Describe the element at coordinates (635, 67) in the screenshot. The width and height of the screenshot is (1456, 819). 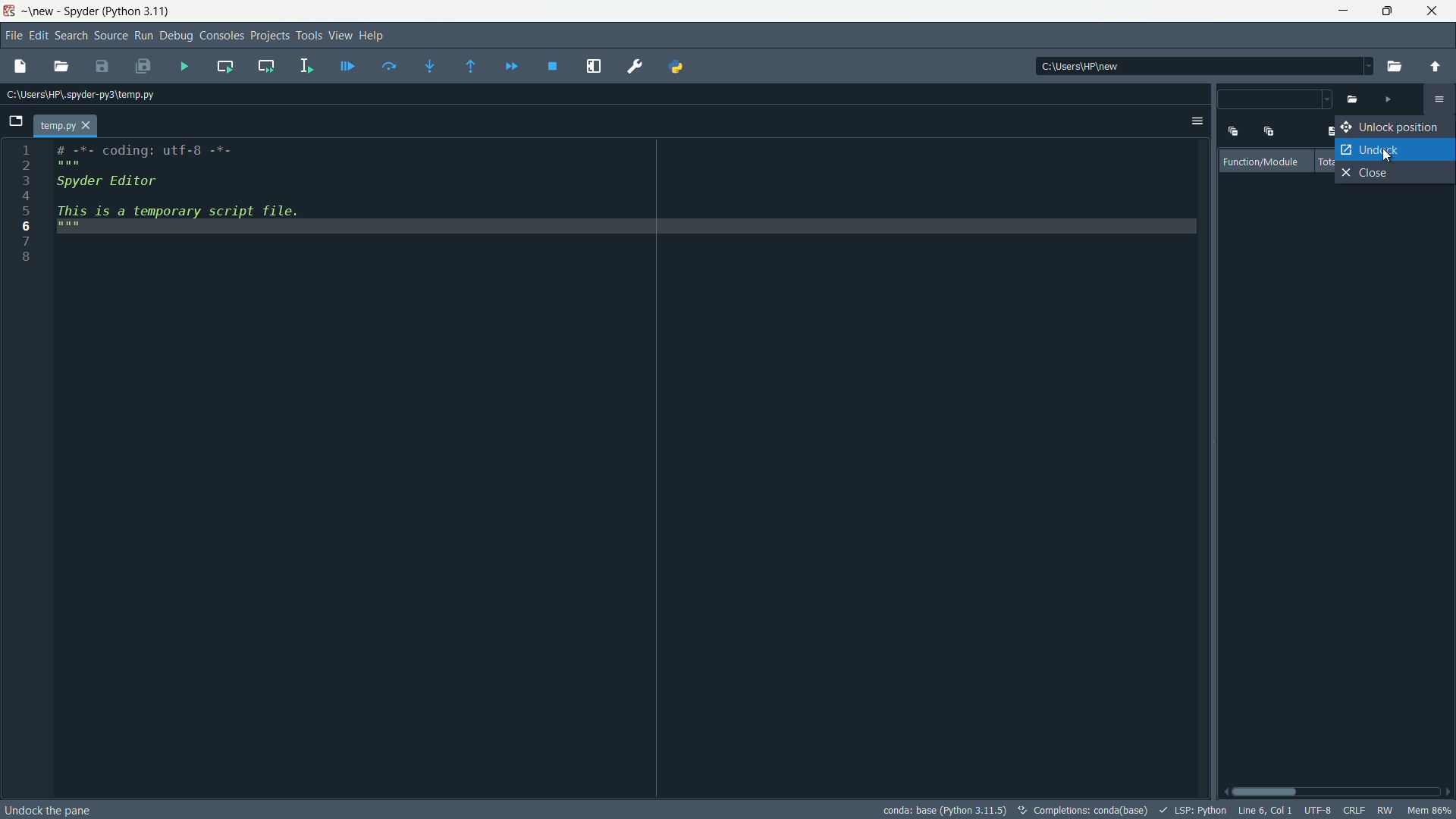
I see `preferences` at that location.